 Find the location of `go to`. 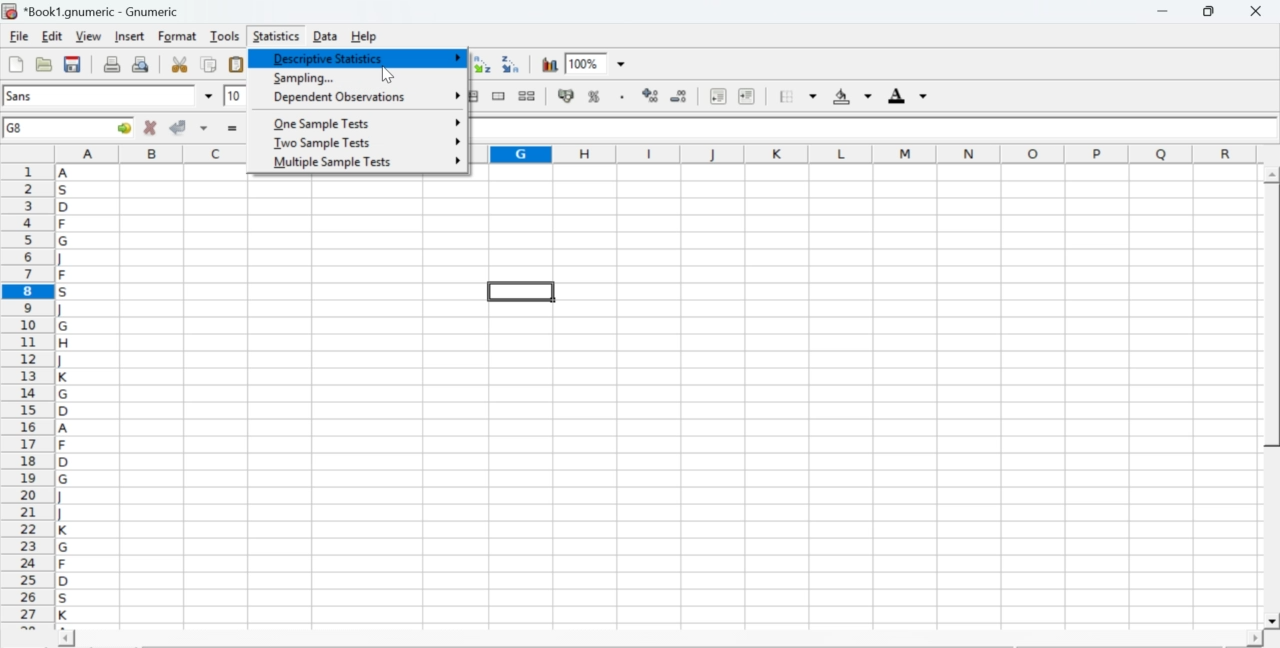

go to is located at coordinates (122, 127).